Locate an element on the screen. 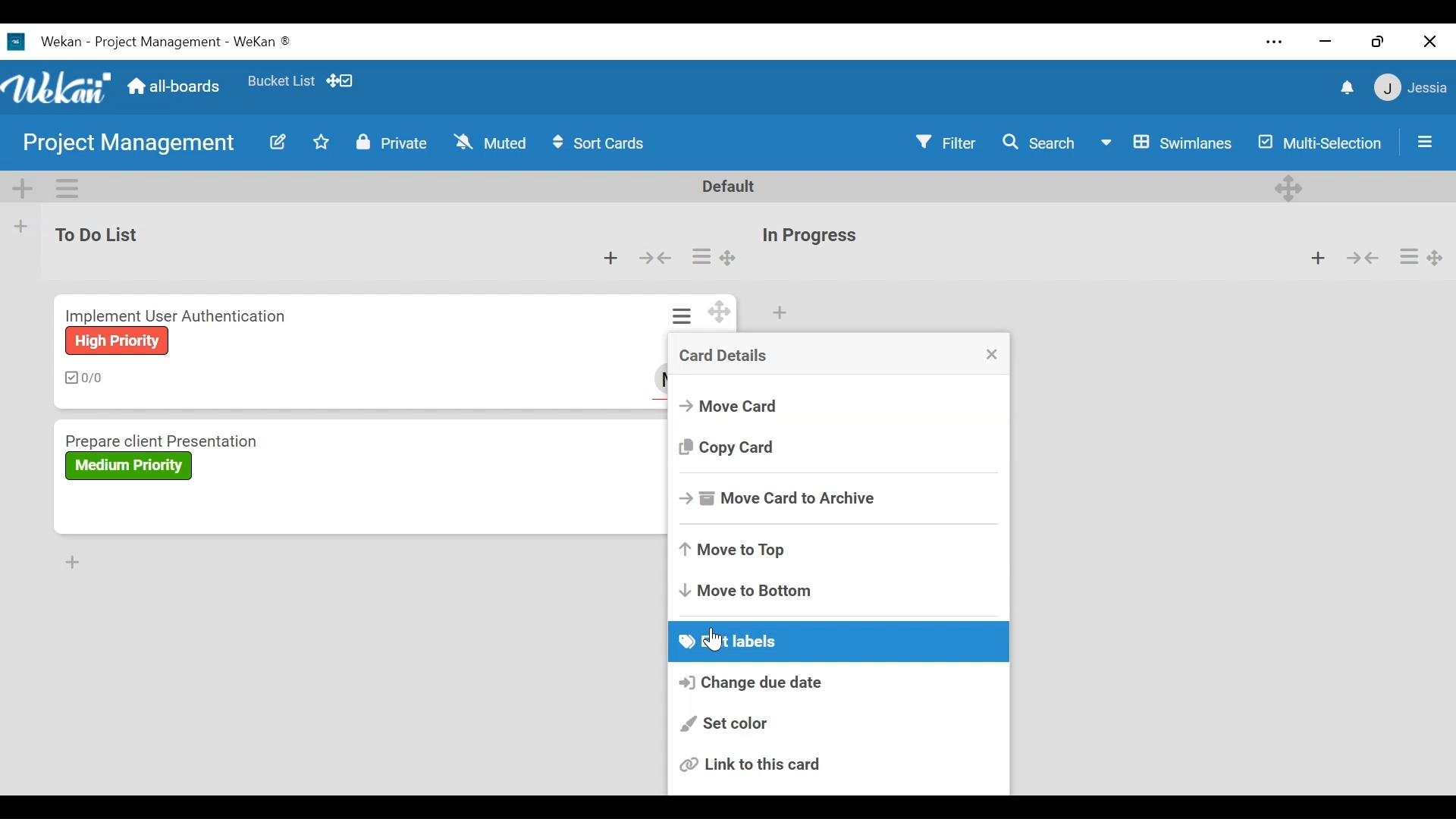 The image size is (1456, 819). Collapse is located at coordinates (657, 258).